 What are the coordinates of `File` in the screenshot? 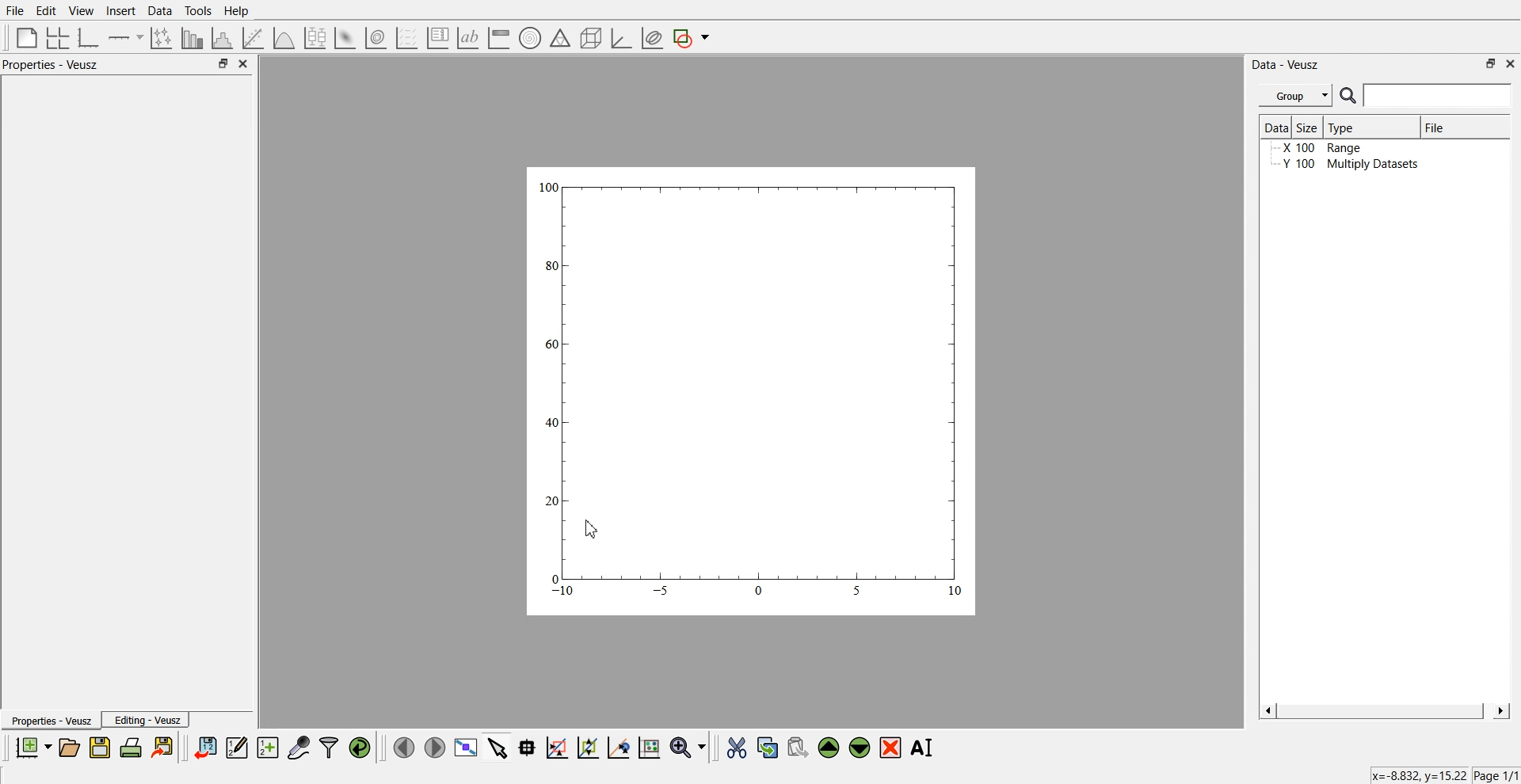 It's located at (1450, 129).